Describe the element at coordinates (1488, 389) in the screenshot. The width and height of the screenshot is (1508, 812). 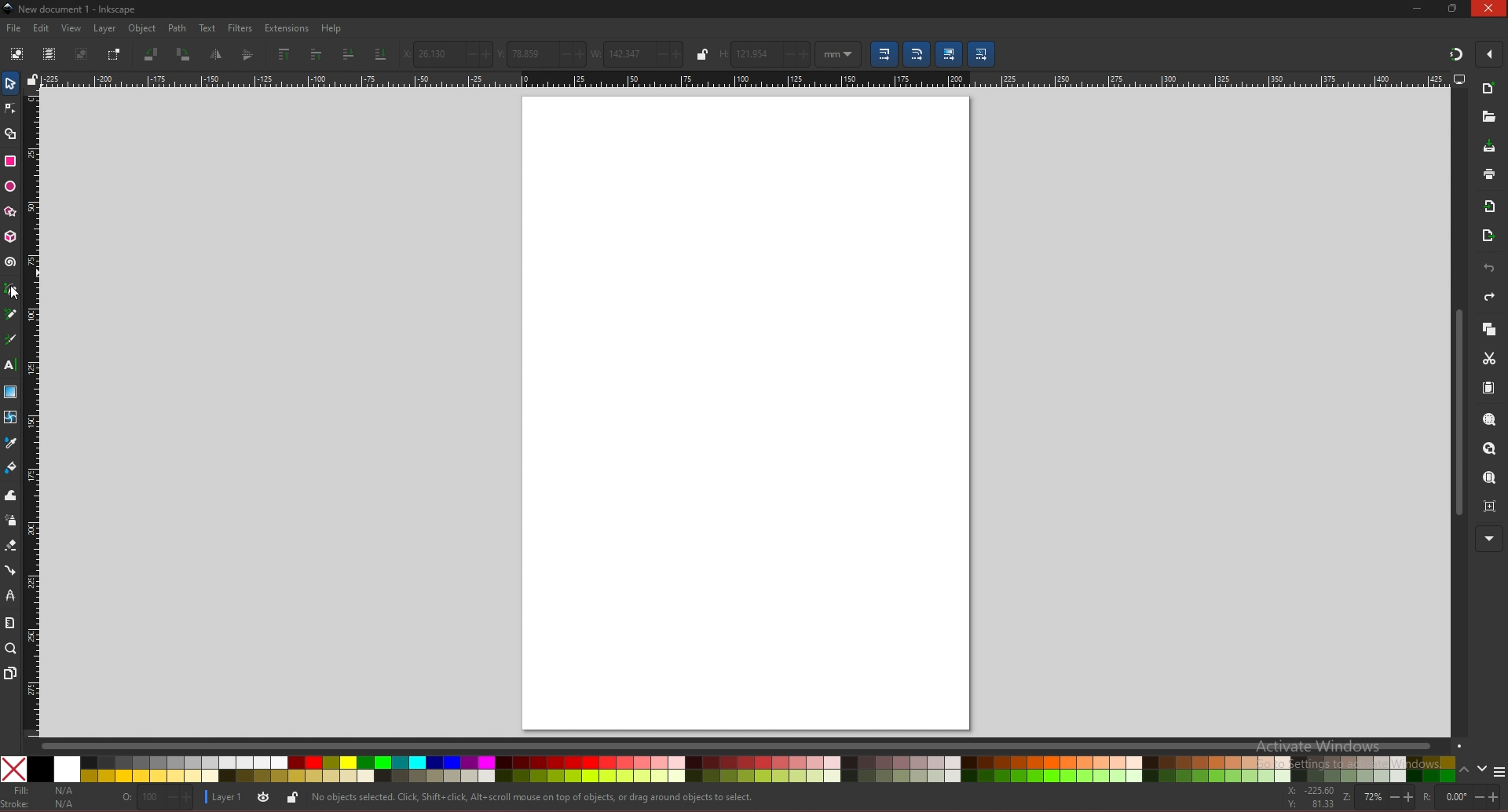
I see `paste` at that location.